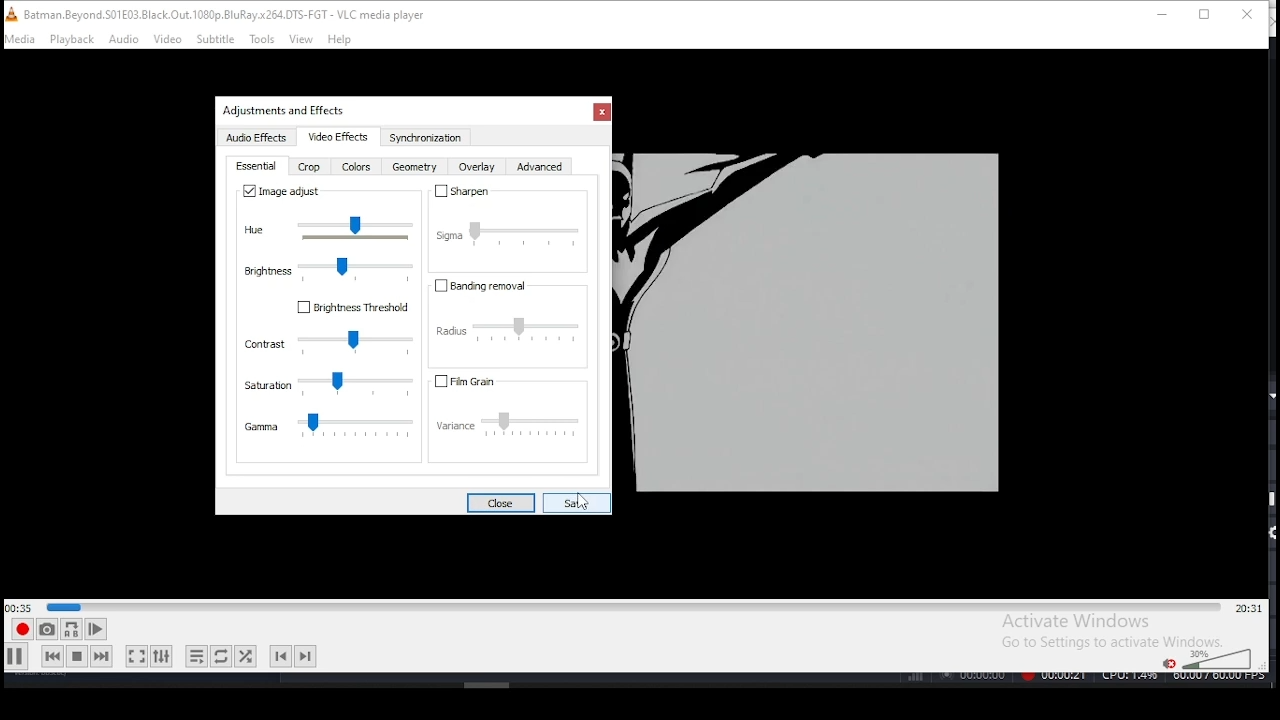 The width and height of the screenshot is (1280, 720). I want to click on tools, so click(262, 39).